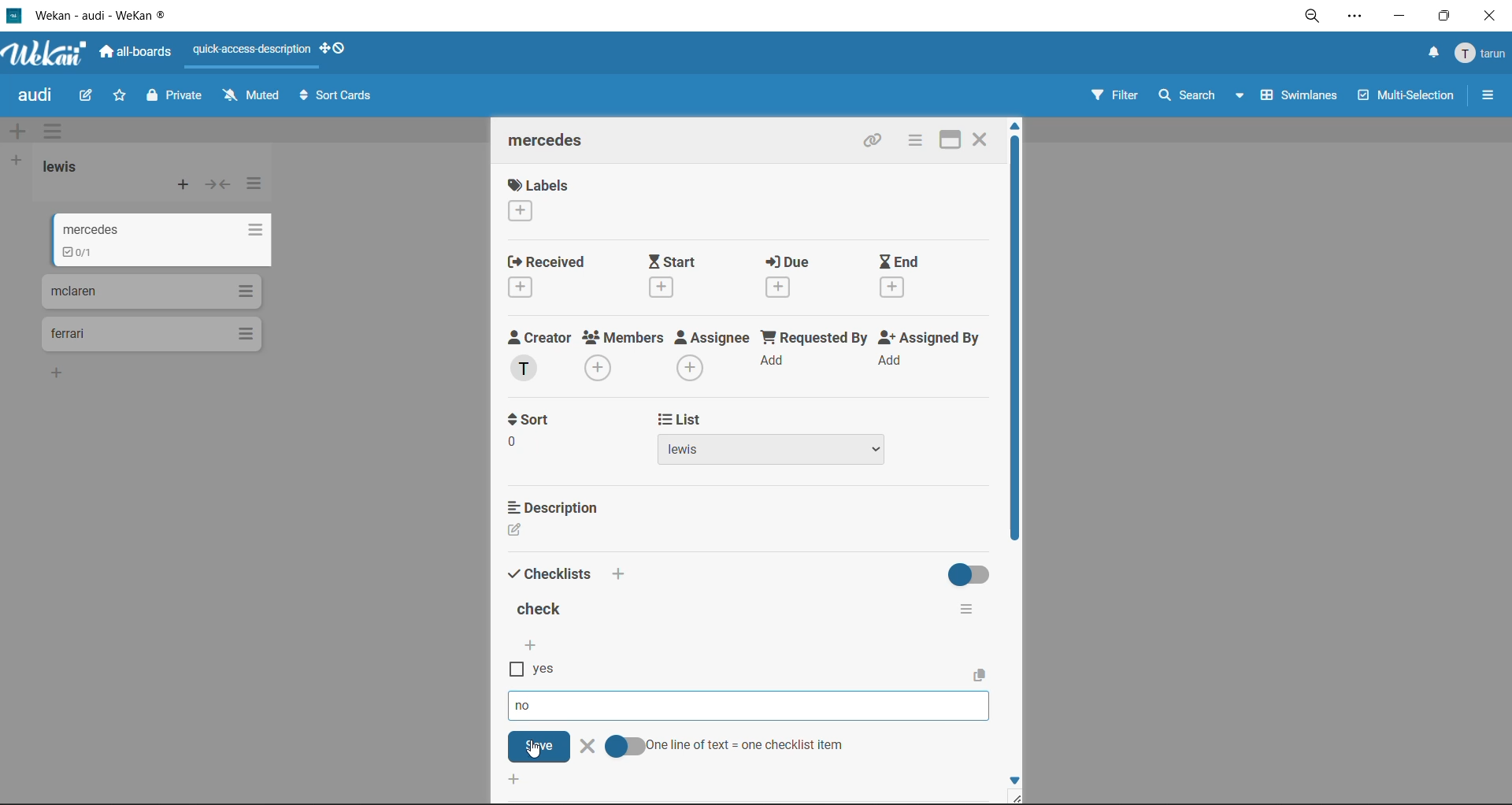 The height and width of the screenshot is (805, 1512). I want to click on edit, so click(87, 95).